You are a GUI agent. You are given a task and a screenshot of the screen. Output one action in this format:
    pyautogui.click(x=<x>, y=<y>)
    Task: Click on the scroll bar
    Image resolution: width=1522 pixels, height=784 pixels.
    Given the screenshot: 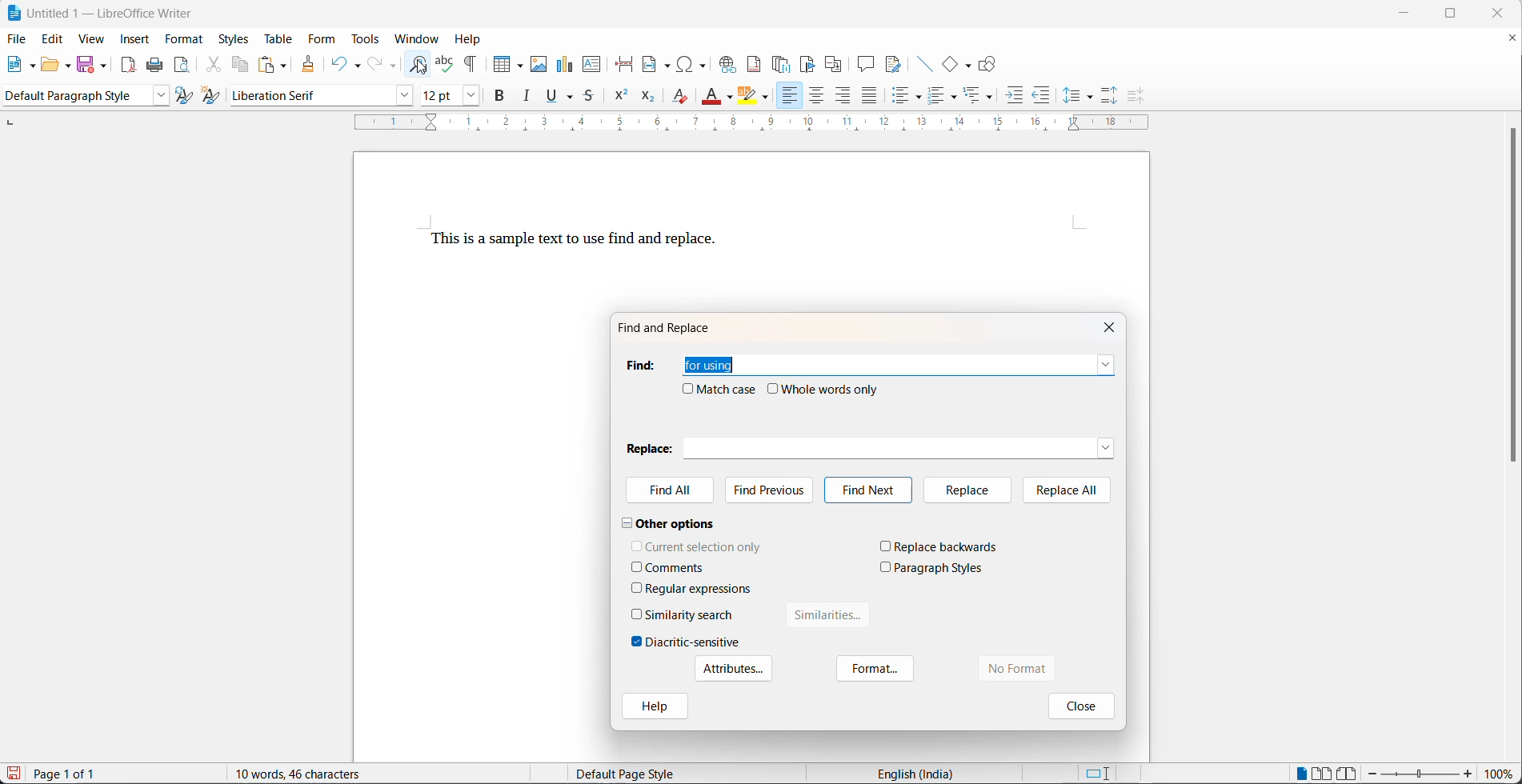 What is the action you would take?
    pyautogui.click(x=1512, y=303)
    